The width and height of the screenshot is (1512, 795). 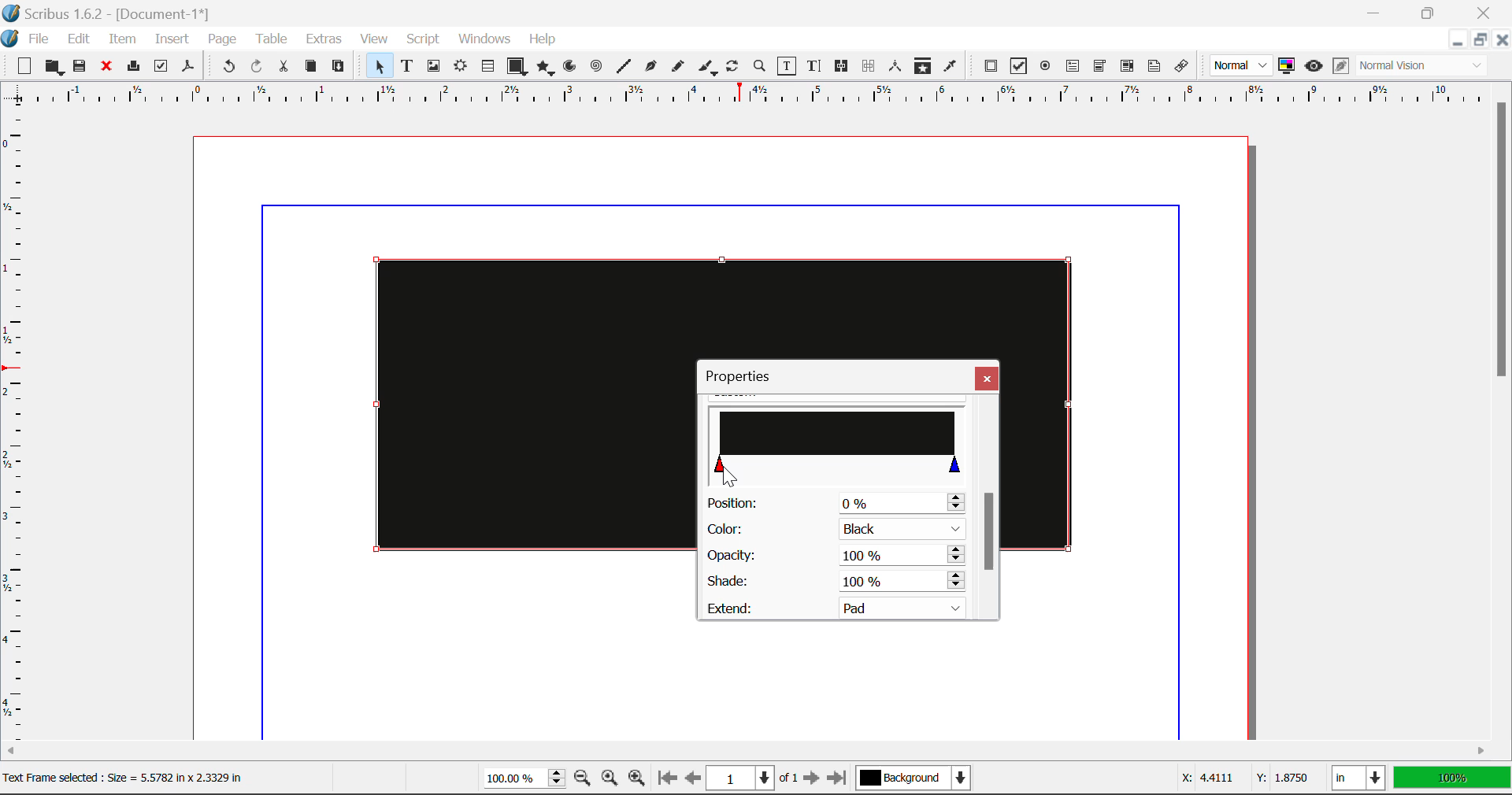 What do you see at coordinates (835, 502) in the screenshot?
I see `Position` at bounding box center [835, 502].